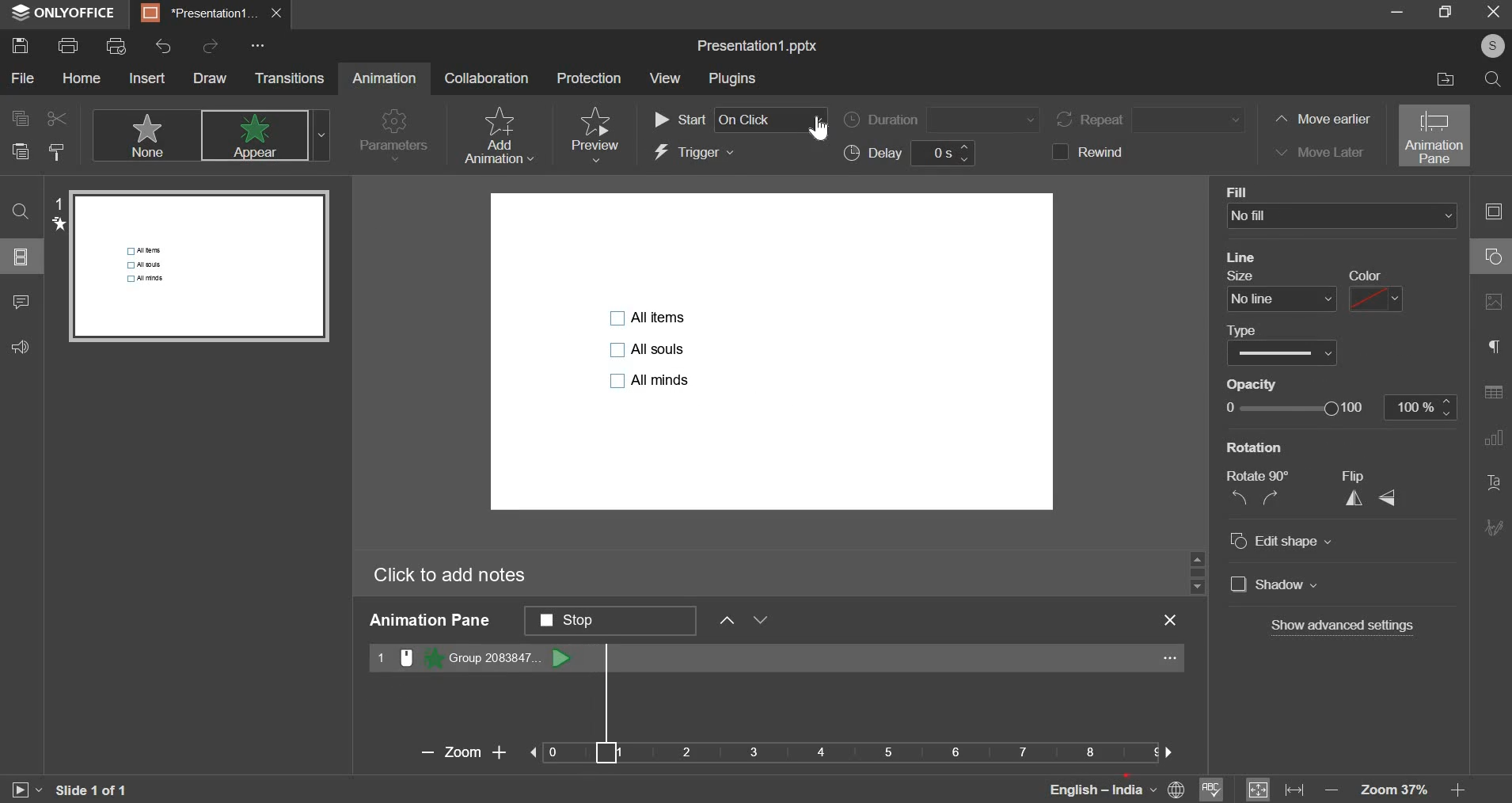  I want to click on move earlier, so click(1320, 120).